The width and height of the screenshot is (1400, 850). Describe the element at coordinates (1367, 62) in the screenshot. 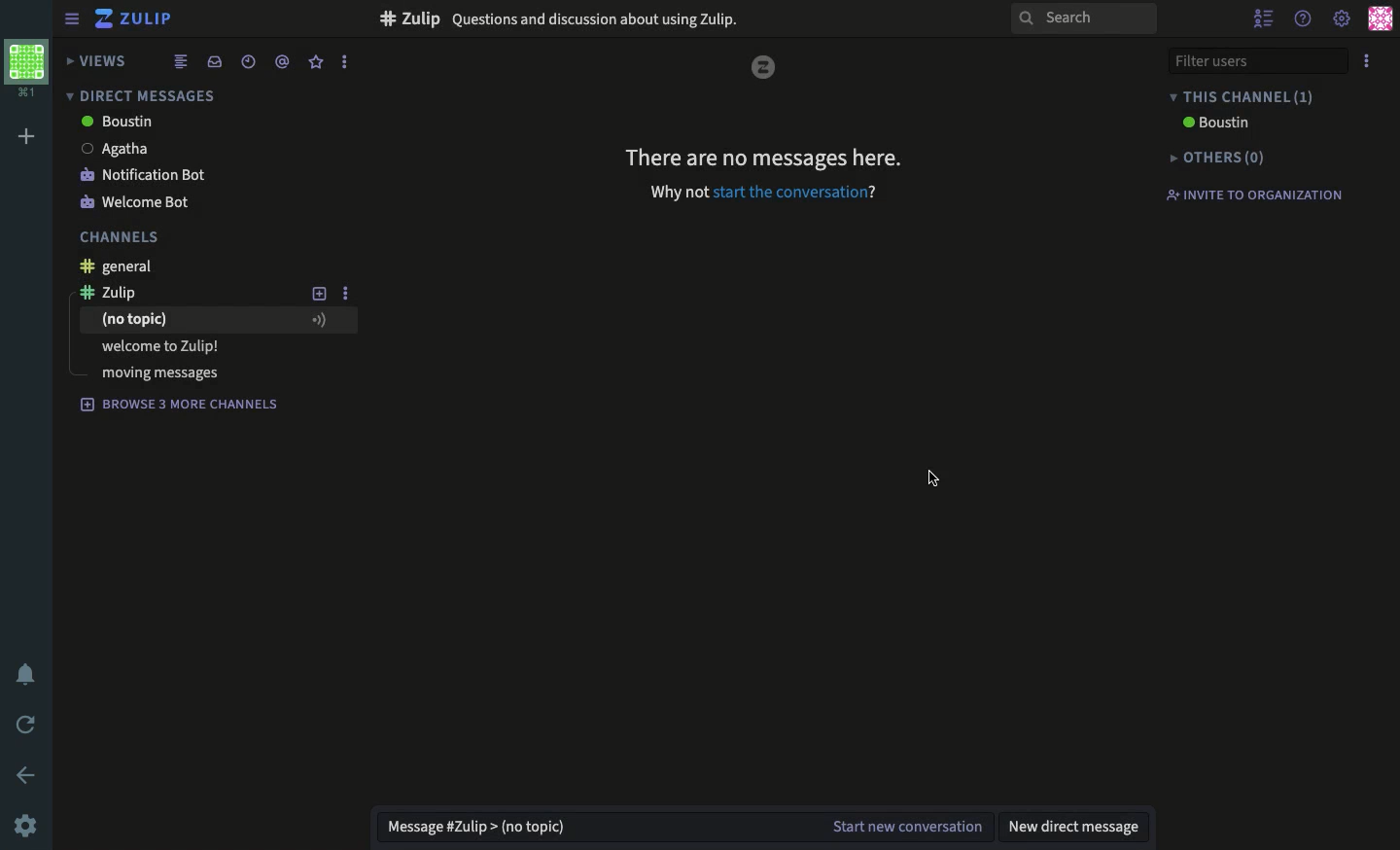

I see `options` at that location.